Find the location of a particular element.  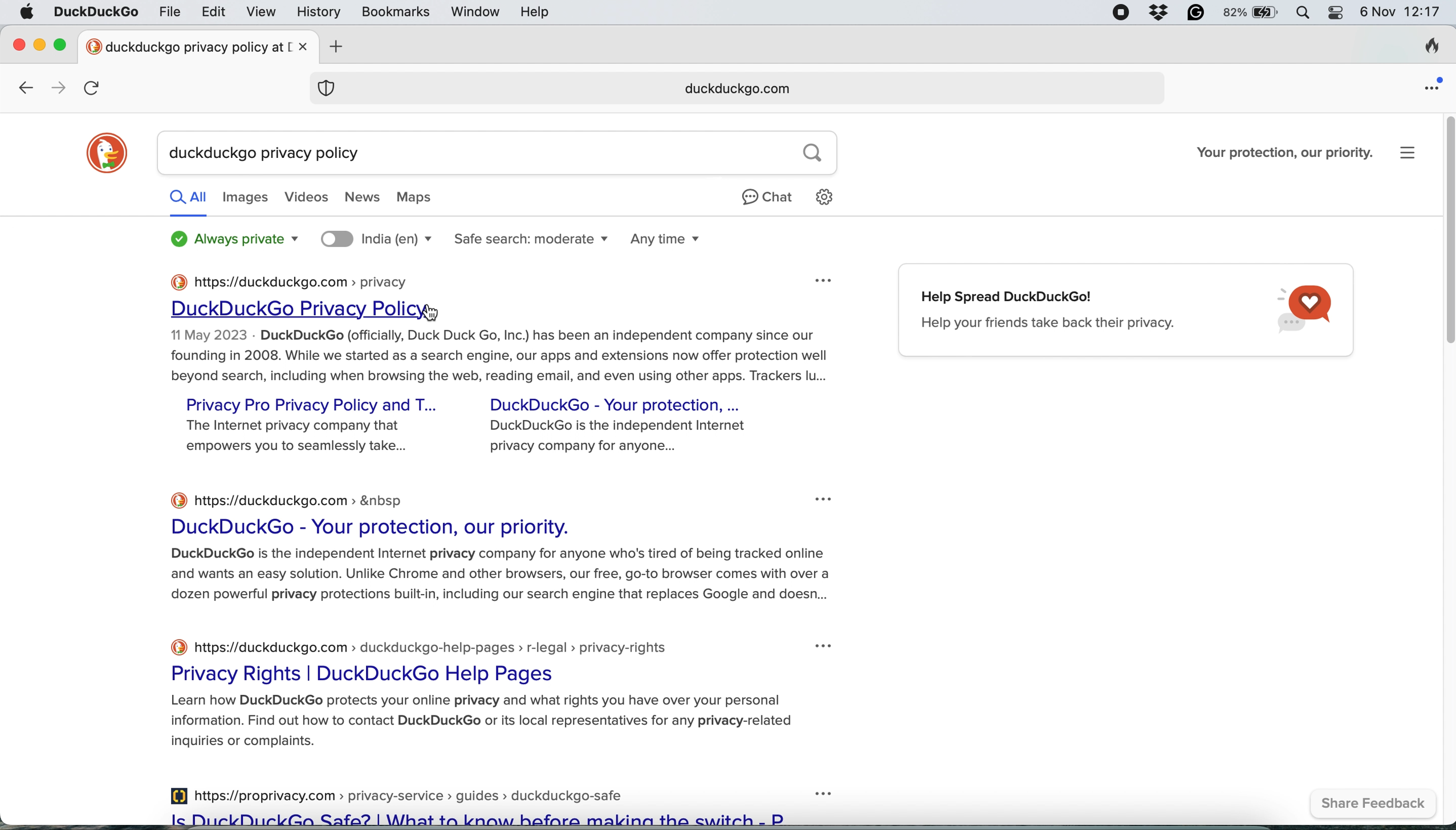

close is located at coordinates (302, 46).